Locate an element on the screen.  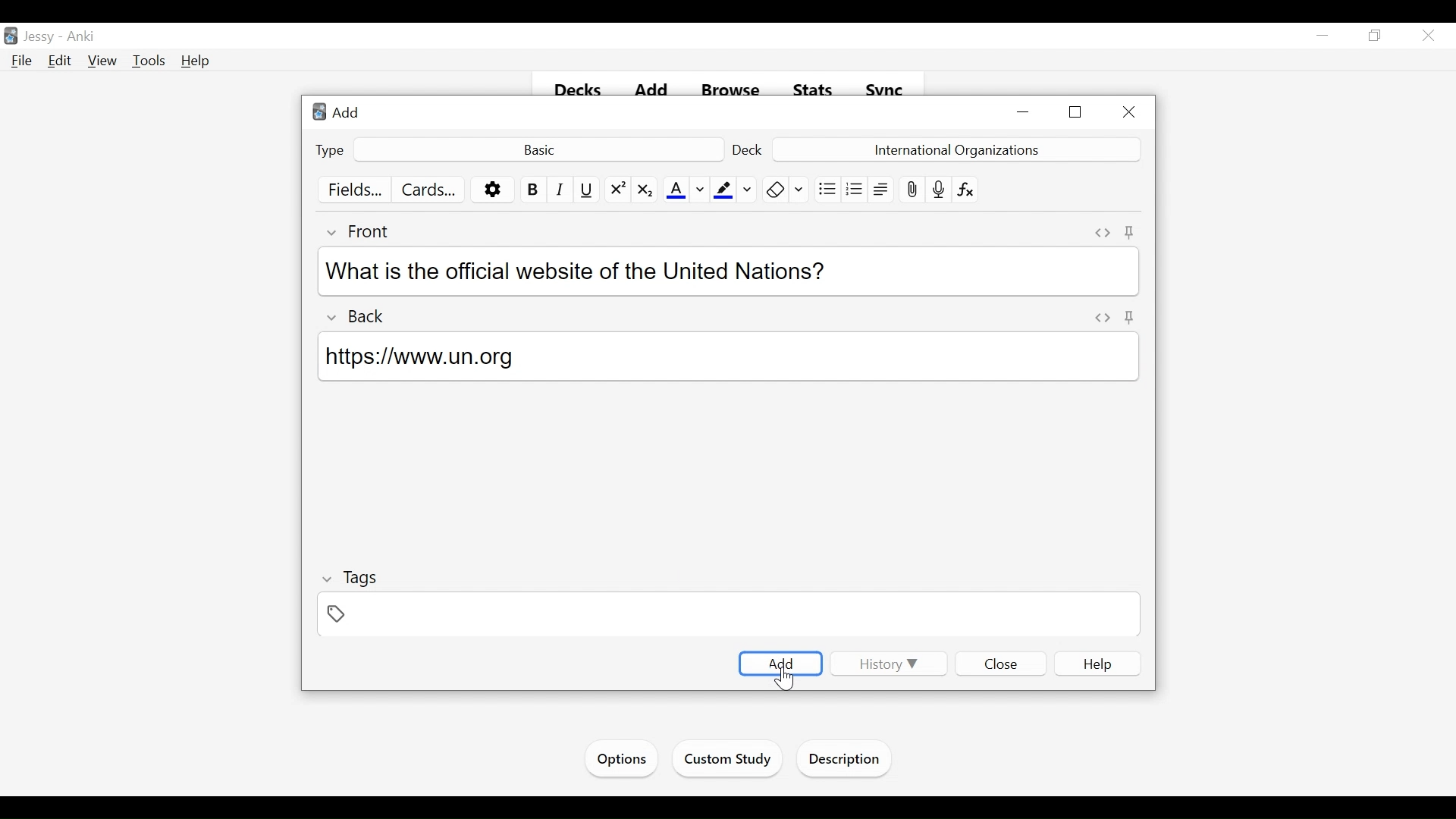
Basic is located at coordinates (540, 149).